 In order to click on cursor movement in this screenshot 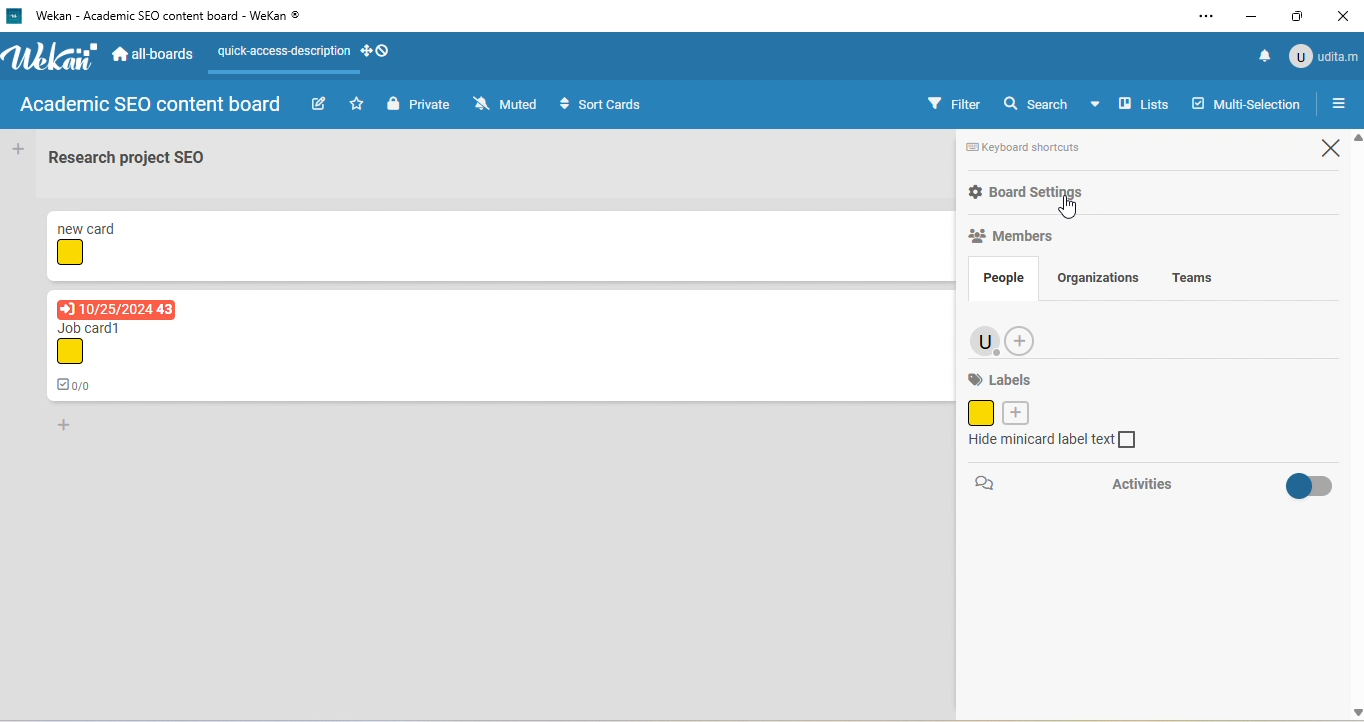, I will do `click(1070, 211)`.